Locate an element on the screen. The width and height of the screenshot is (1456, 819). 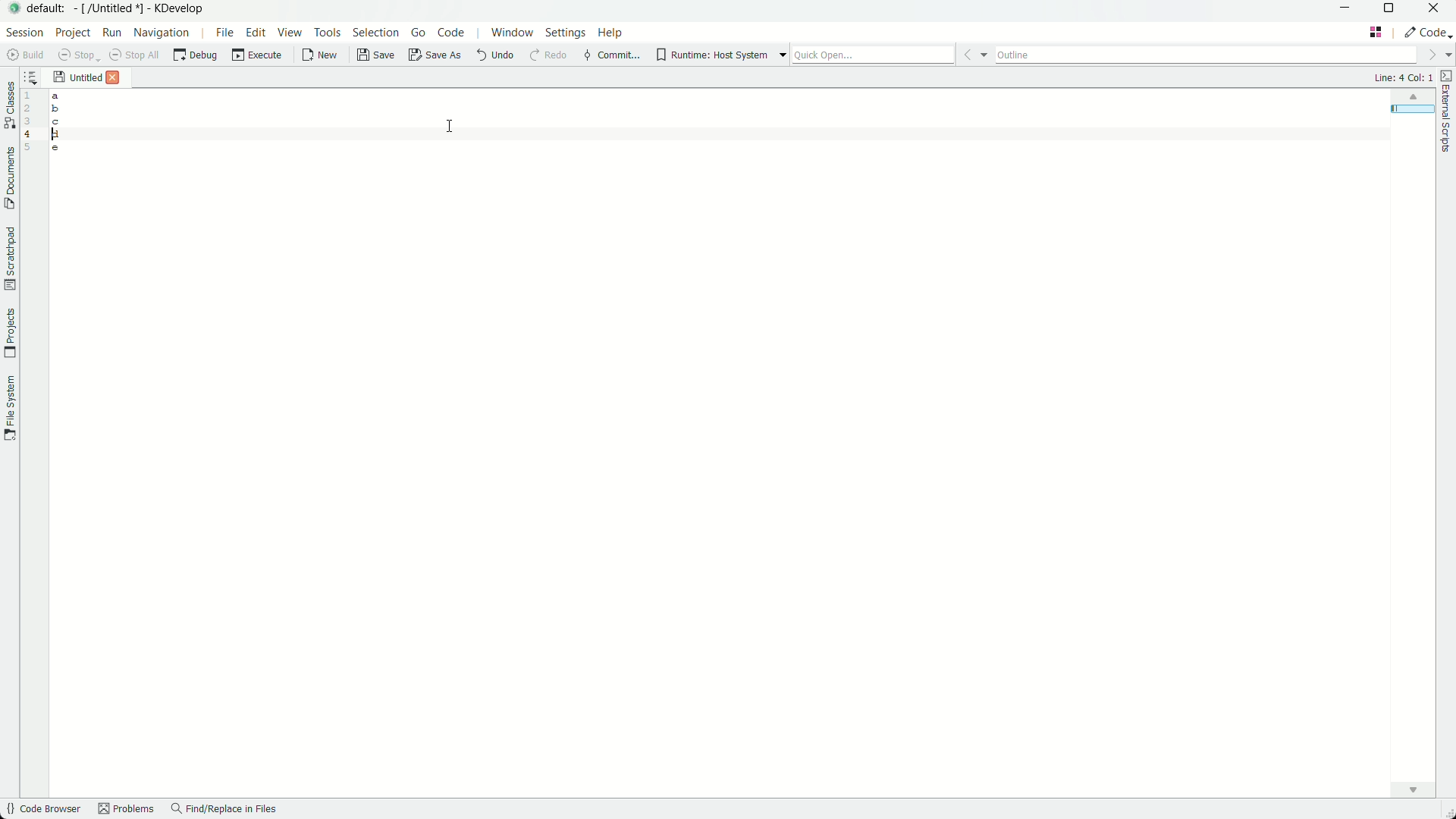
outline is located at coordinates (1221, 55).